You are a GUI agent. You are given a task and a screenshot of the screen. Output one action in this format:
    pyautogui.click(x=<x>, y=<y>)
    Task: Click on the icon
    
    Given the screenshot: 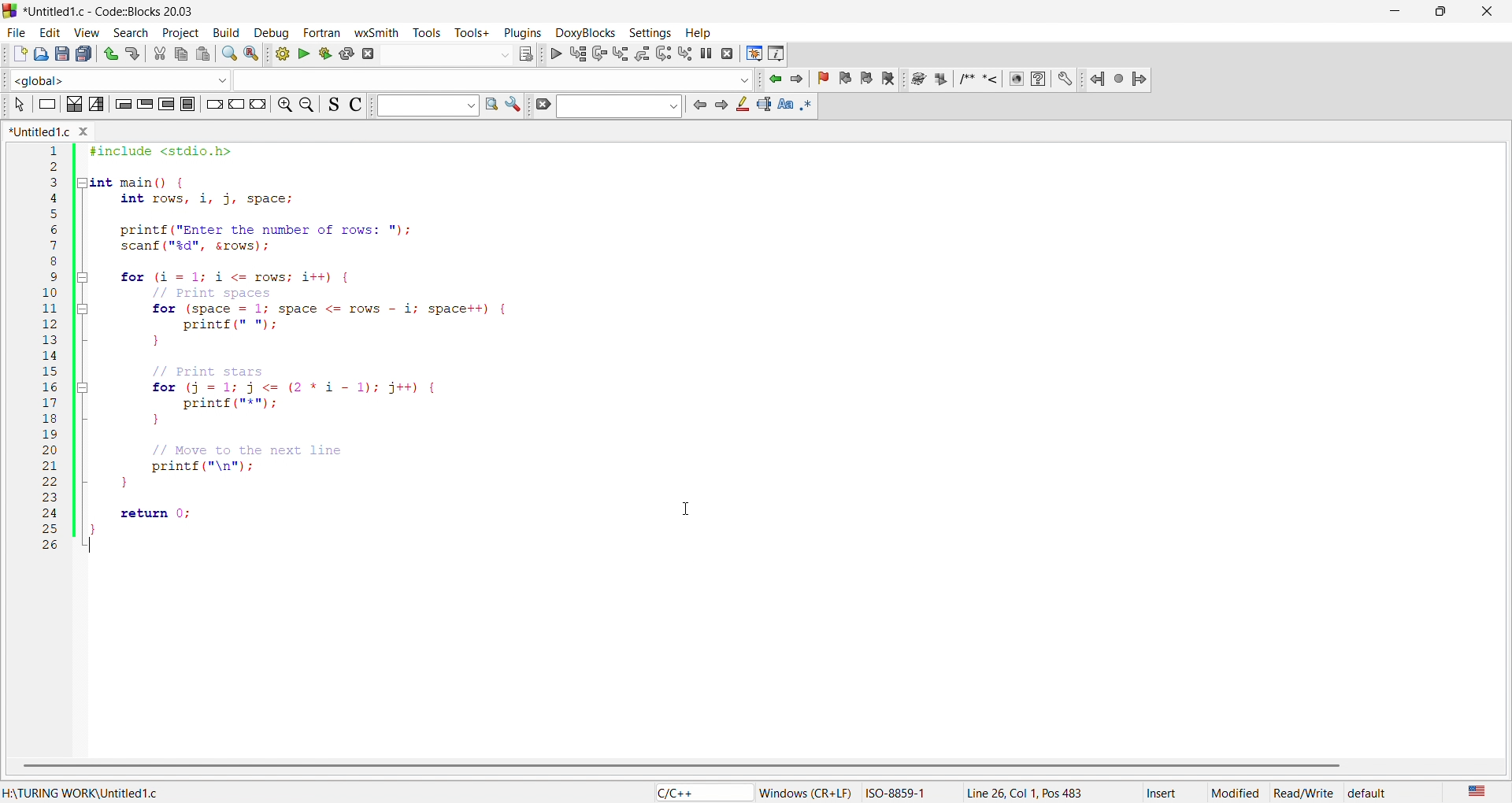 What is the action you would take?
    pyautogui.click(x=71, y=106)
    